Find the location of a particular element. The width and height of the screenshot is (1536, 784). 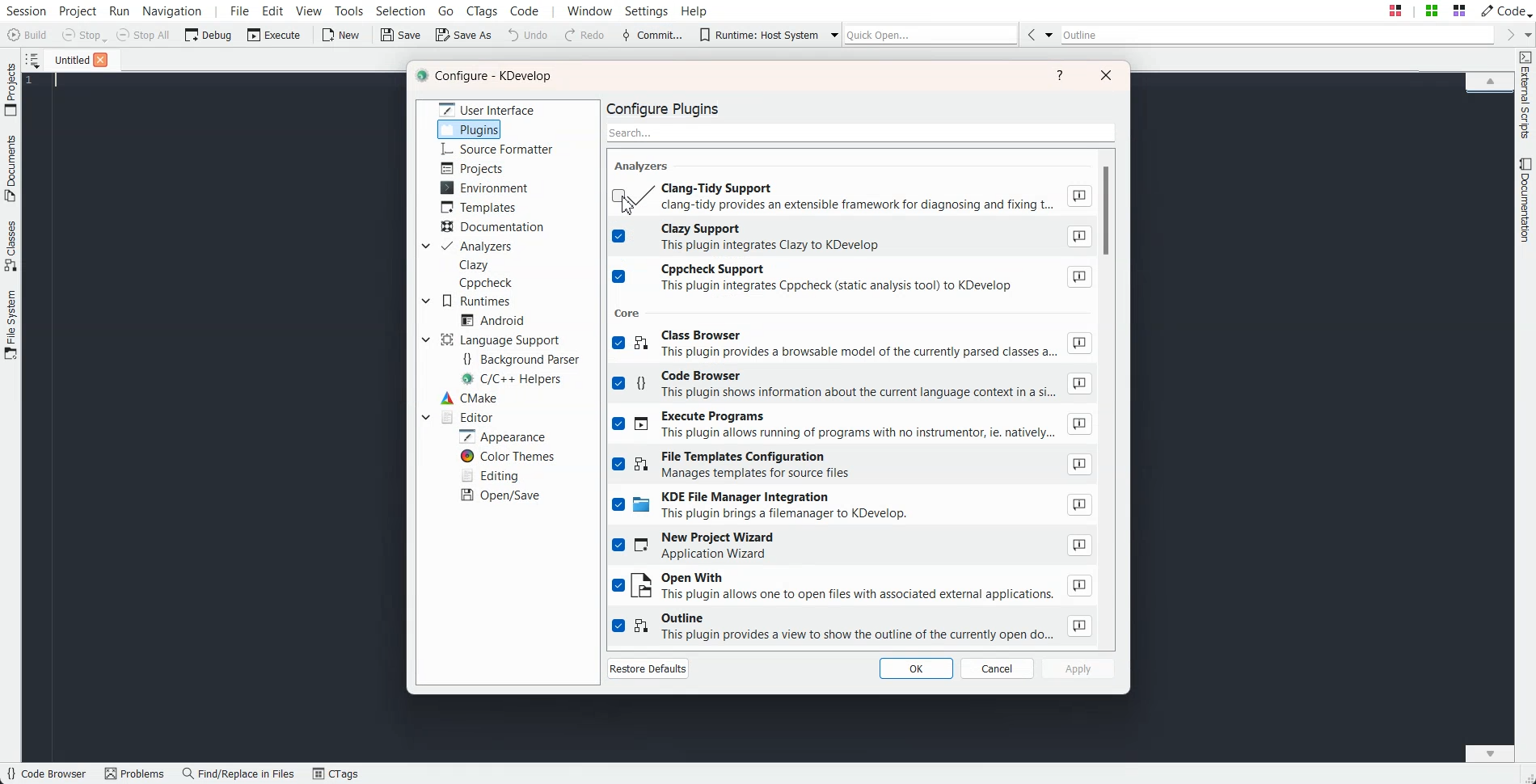

Cancel is located at coordinates (998, 668).